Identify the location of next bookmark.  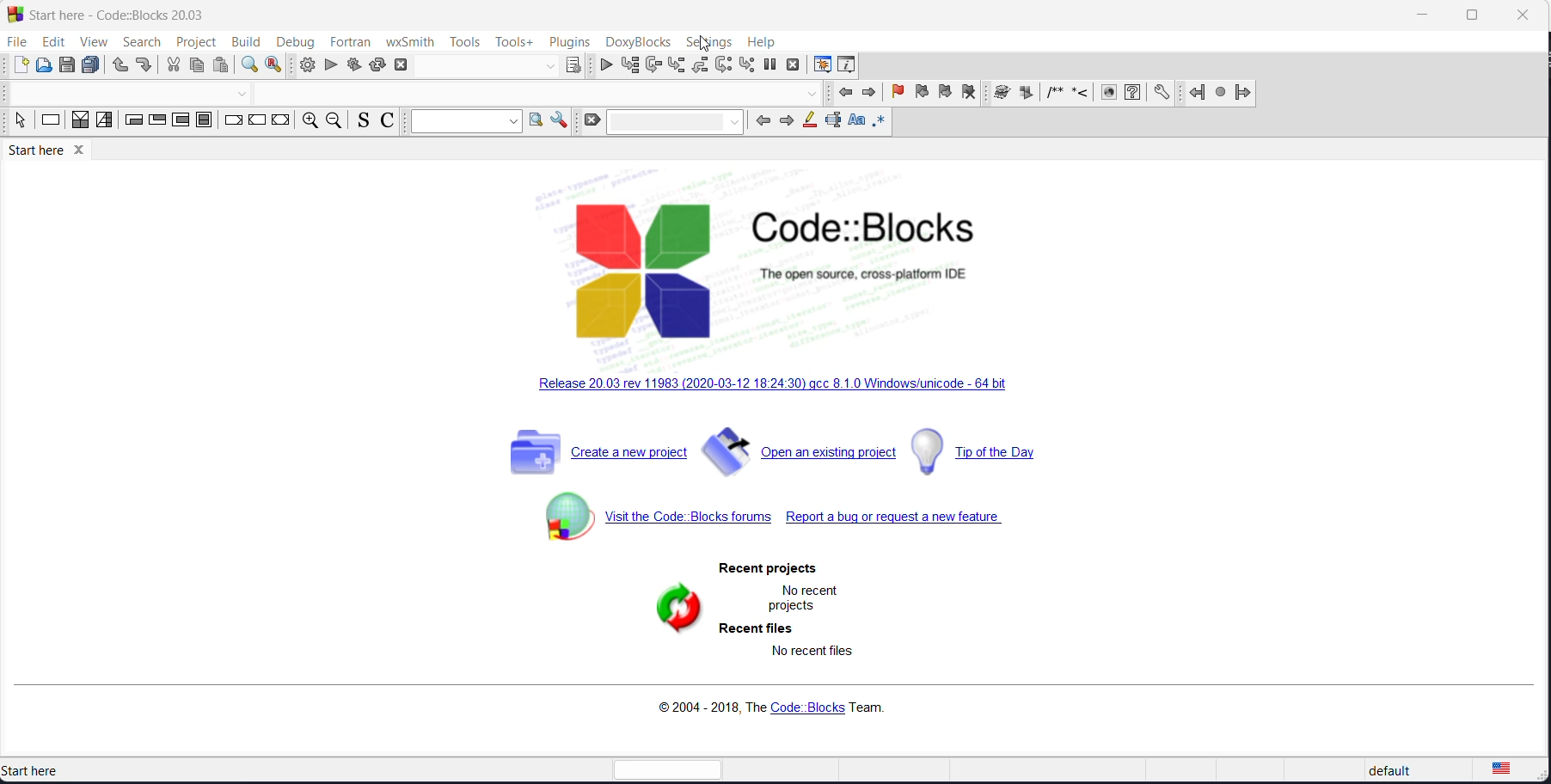
(944, 95).